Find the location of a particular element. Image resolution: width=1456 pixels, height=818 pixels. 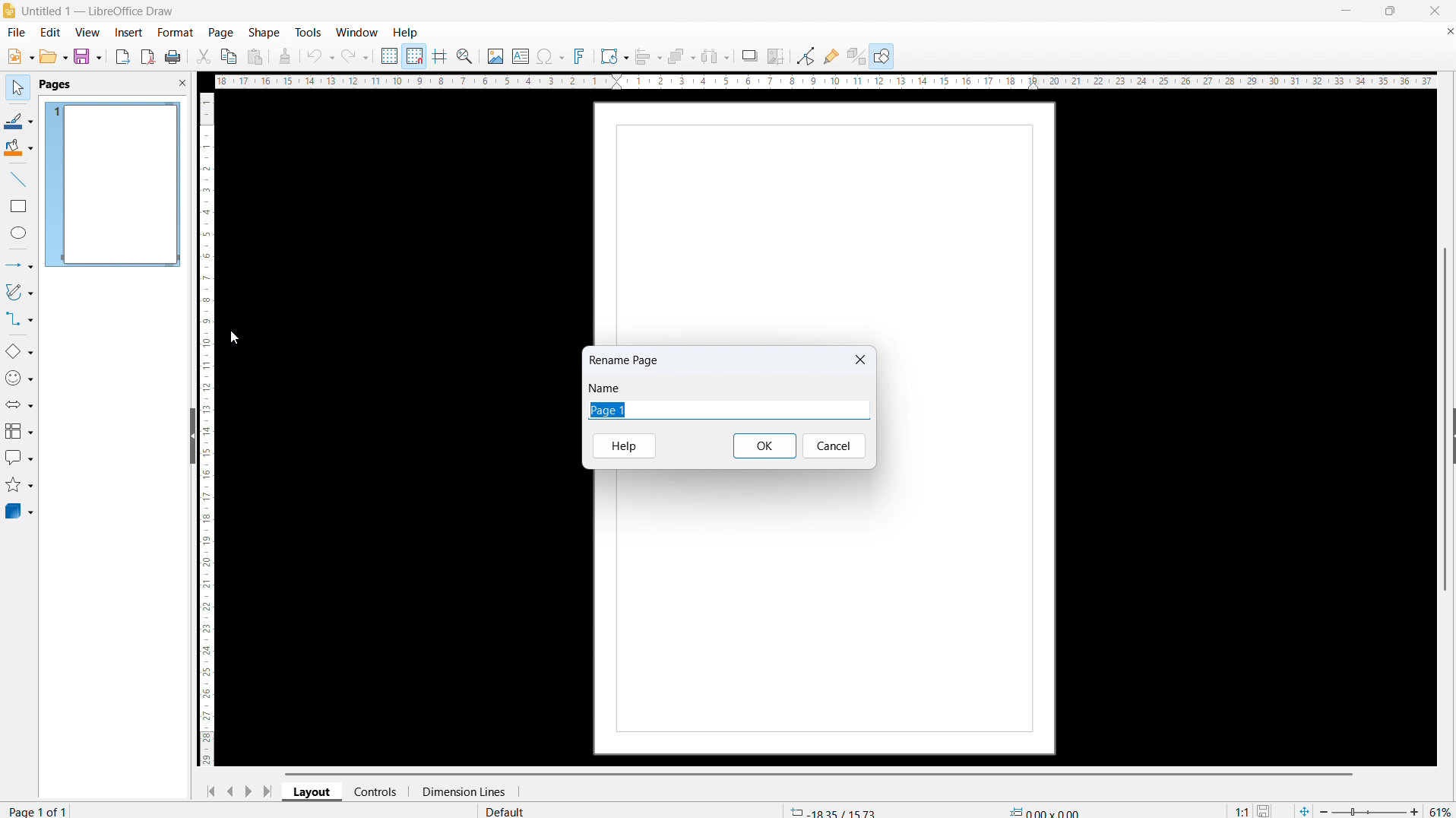

Horizontal scroll bar  is located at coordinates (818, 772).